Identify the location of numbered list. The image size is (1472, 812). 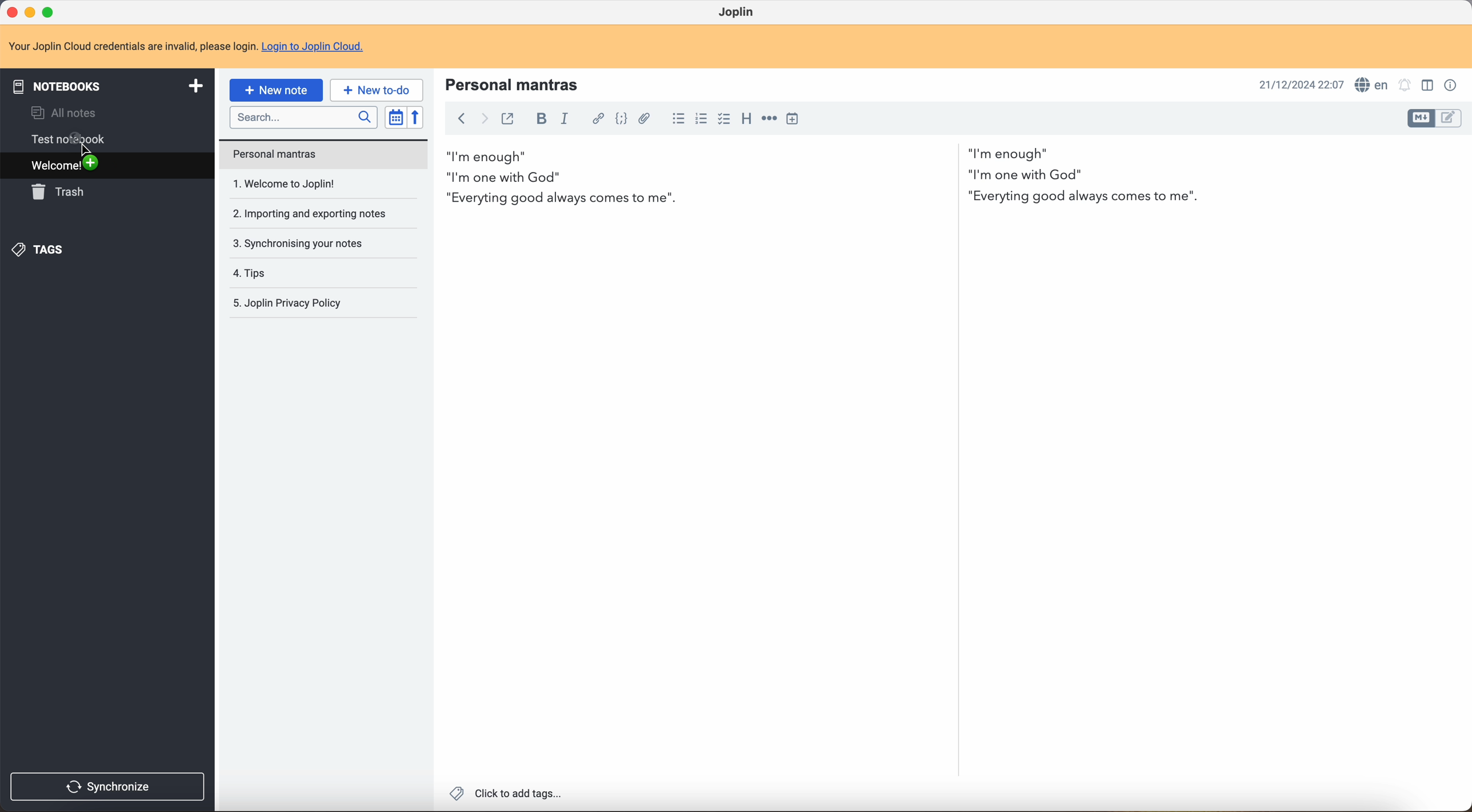
(703, 118).